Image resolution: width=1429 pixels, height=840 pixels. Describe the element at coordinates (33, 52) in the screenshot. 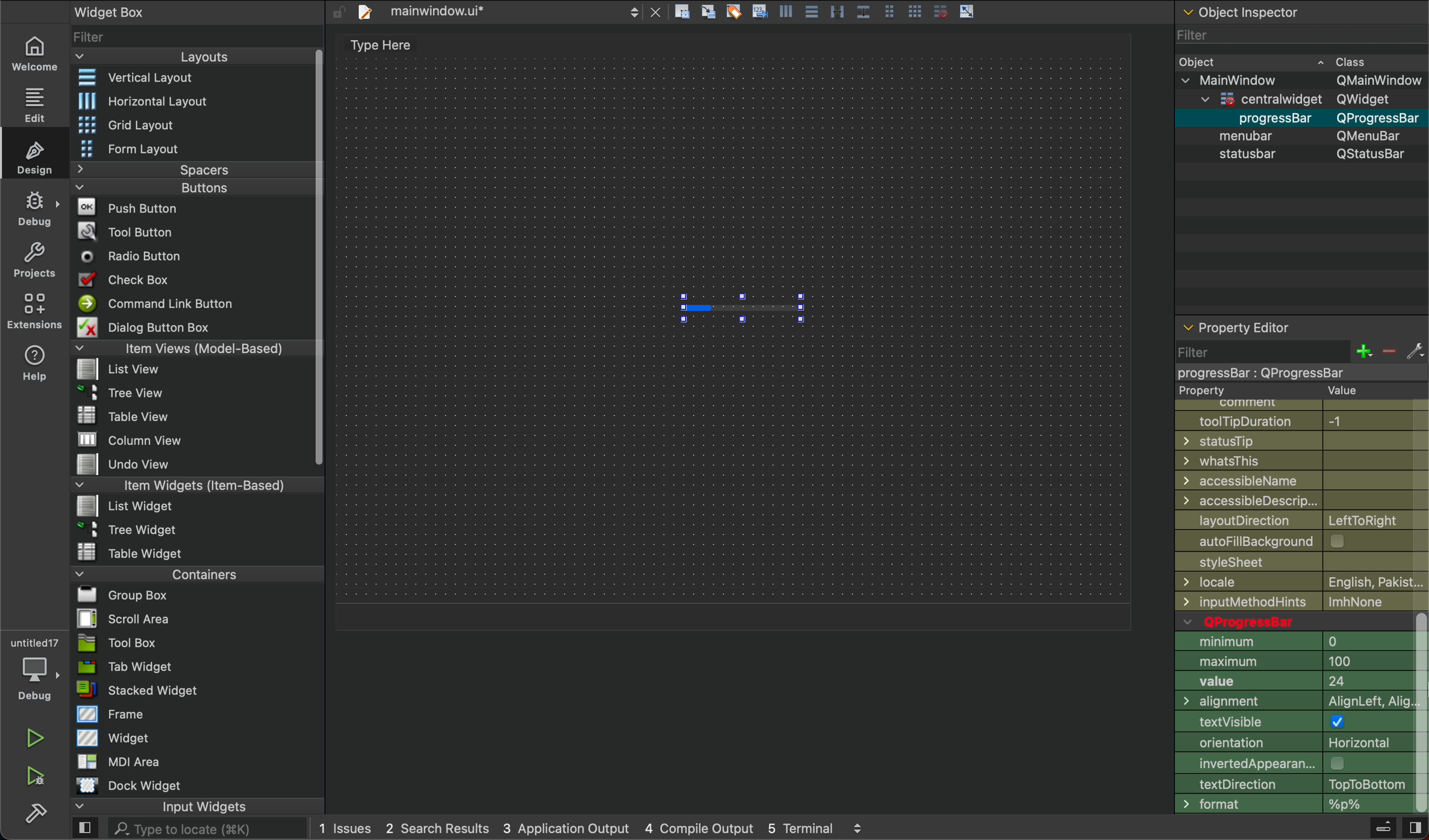

I see `welcome` at that location.